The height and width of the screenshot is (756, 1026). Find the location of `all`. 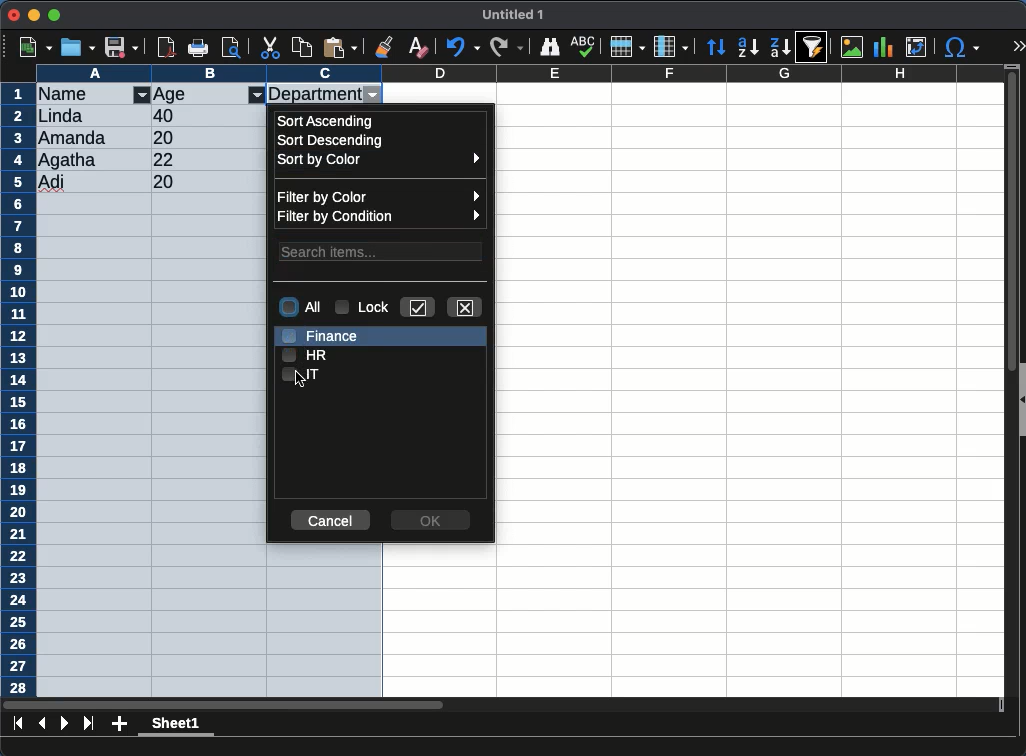

all is located at coordinates (301, 308).